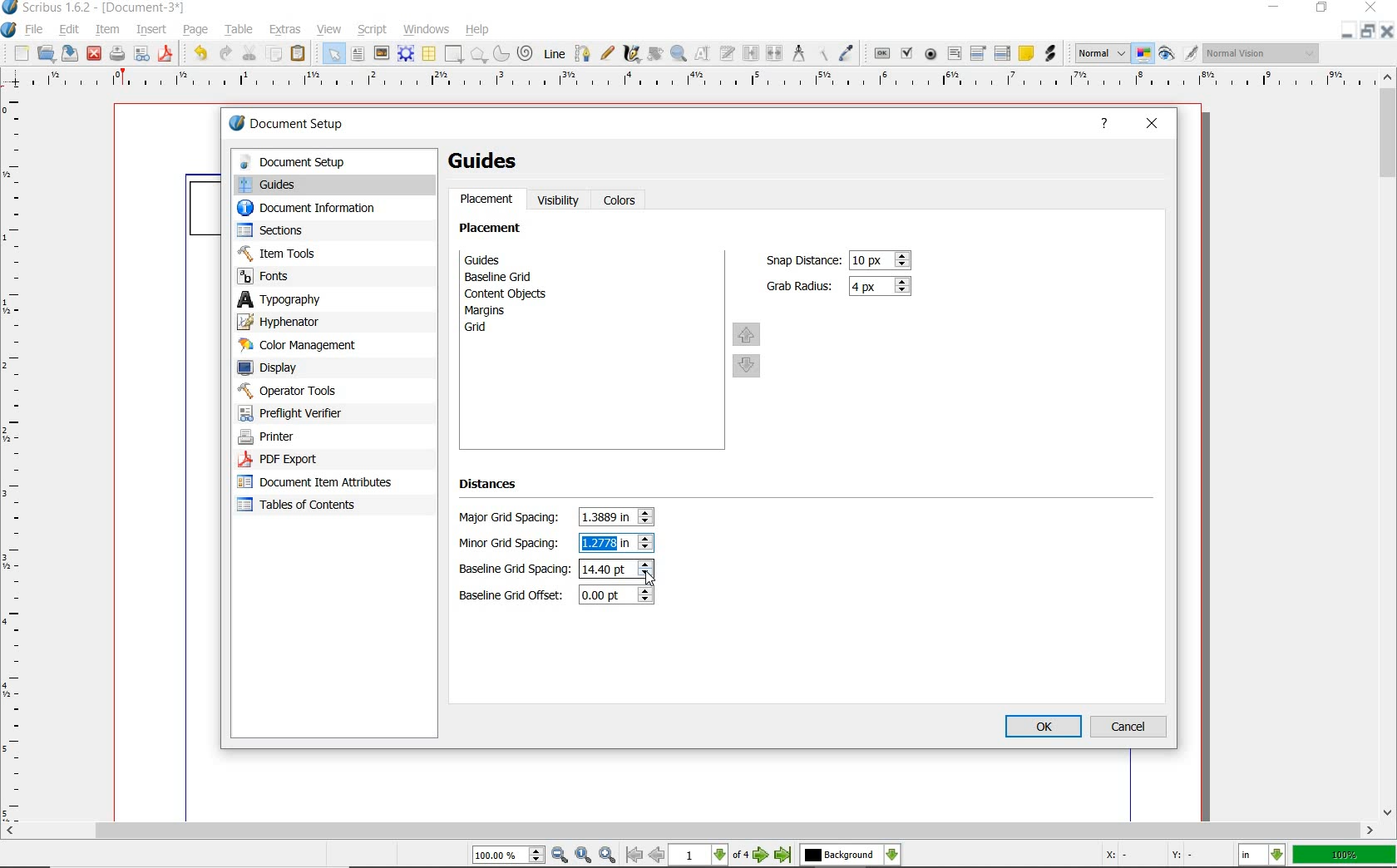 Image resolution: width=1397 pixels, height=868 pixels. I want to click on Grab Radius:, so click(801, 284).